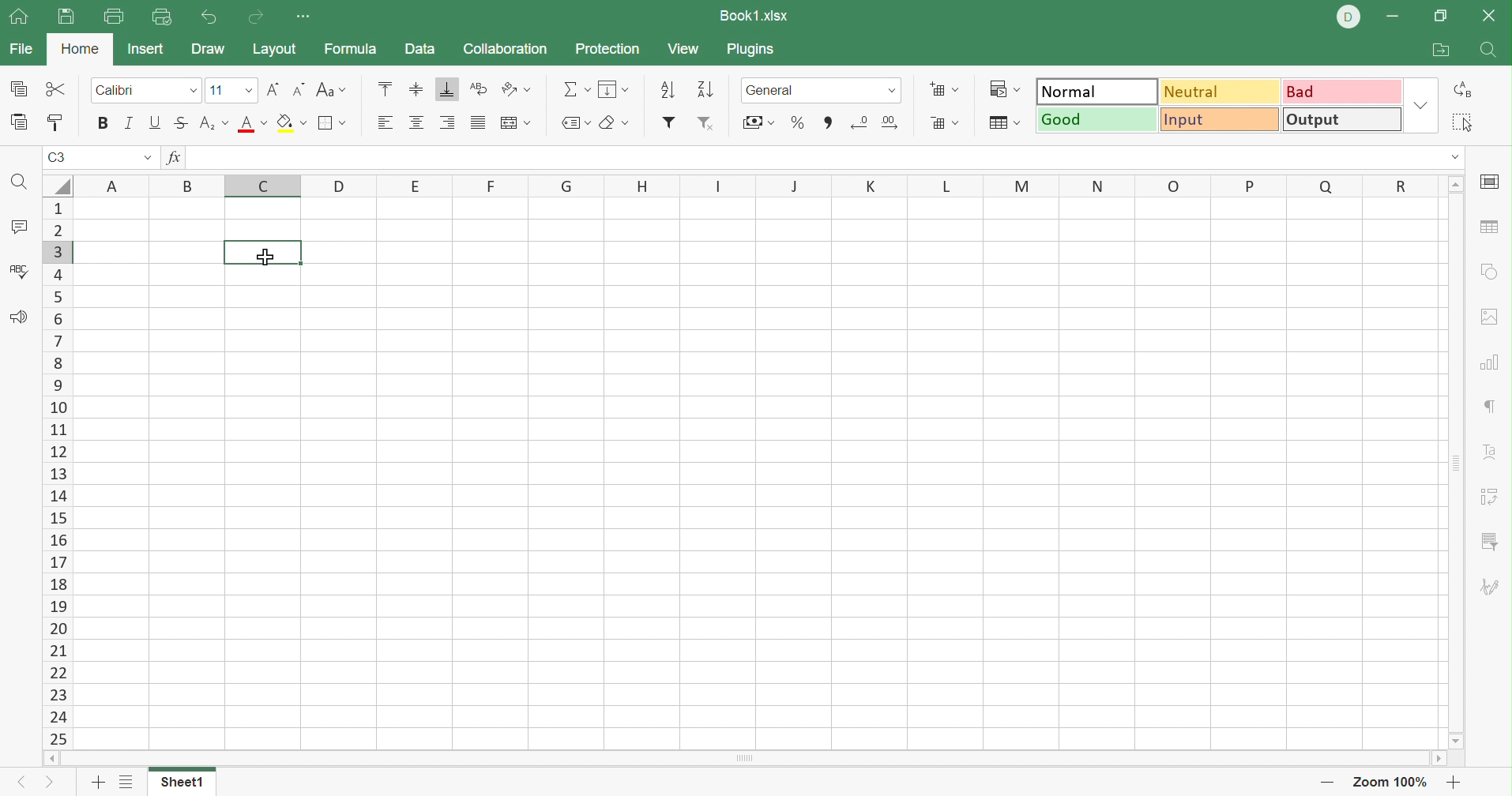  What do you see at coordinates (805, 90) in the screenshot?
I see `General` at bounding box center [805, 90].